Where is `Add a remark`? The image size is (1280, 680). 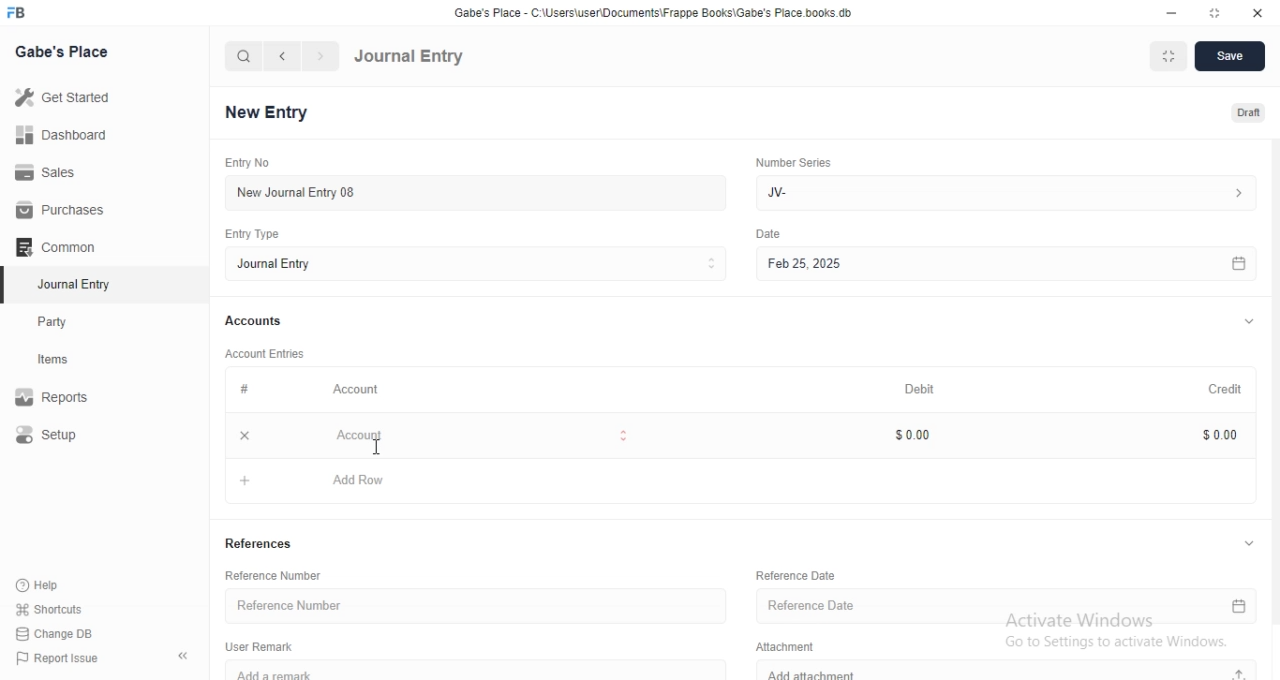
Add a remark is located at coordinates (486, 670).